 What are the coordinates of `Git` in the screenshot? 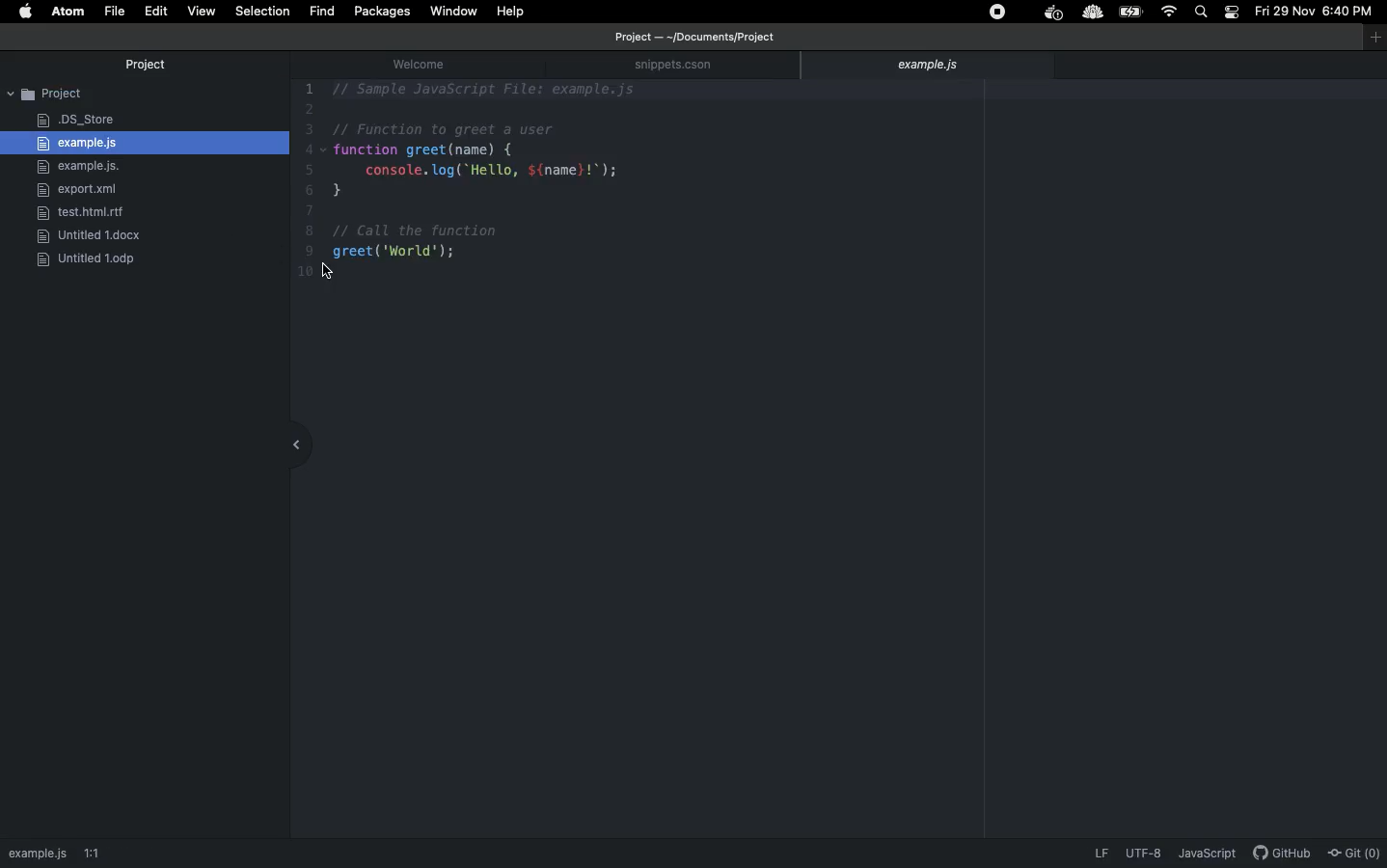 It's located at (1355, 853).